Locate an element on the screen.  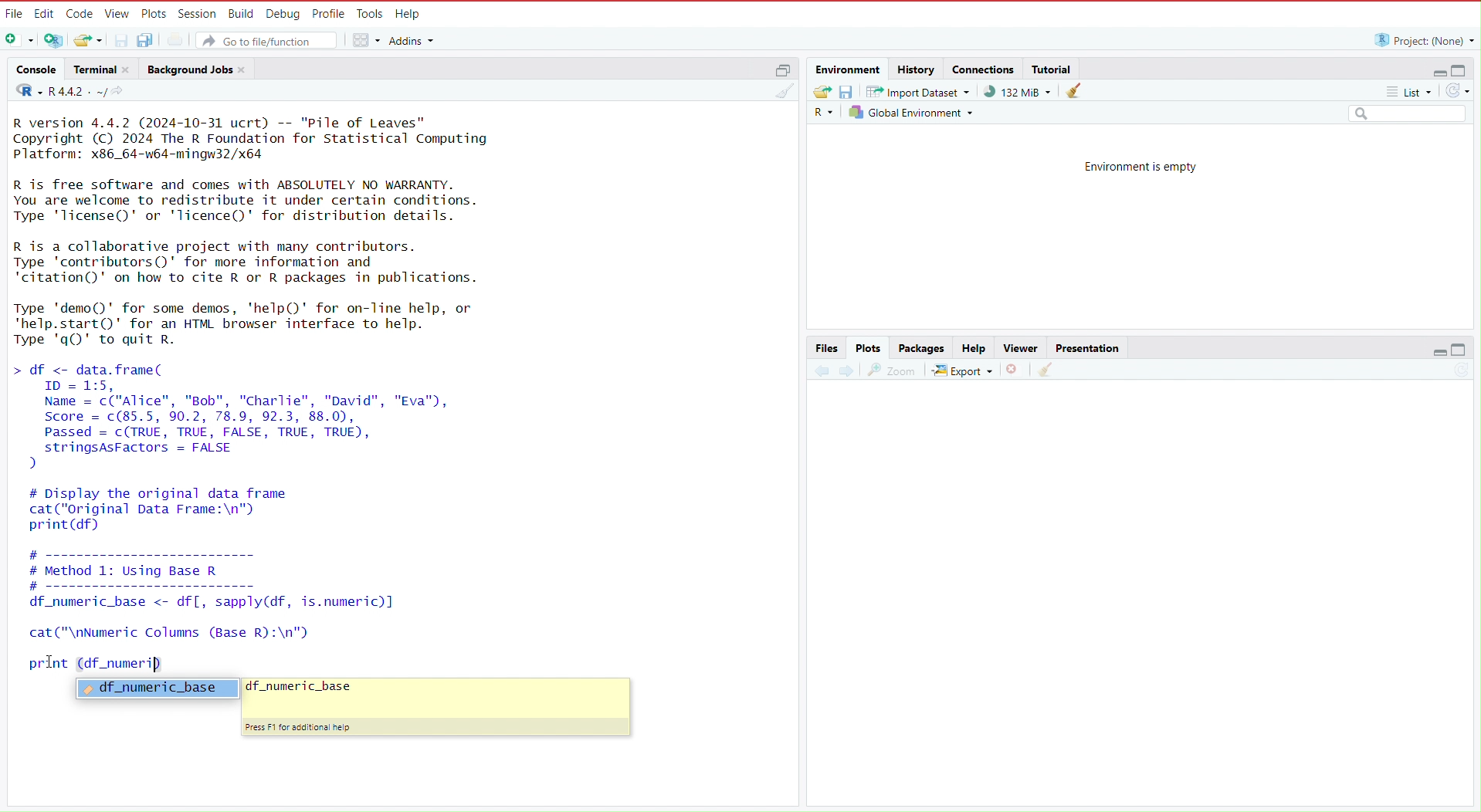
df <- data.frame(
ID = 1:5,
Name = c("Alice", "Bob", "Charlie", "David", "Eva"),
Score = c(85.5, 90.2, 78.9, 92.3, 88.0),
Passed = c(TRUE, TRUE, FALSE, TRUE, TRUE),
stringsAsFactors = FALSE

) is located at coordinates (252, 416).